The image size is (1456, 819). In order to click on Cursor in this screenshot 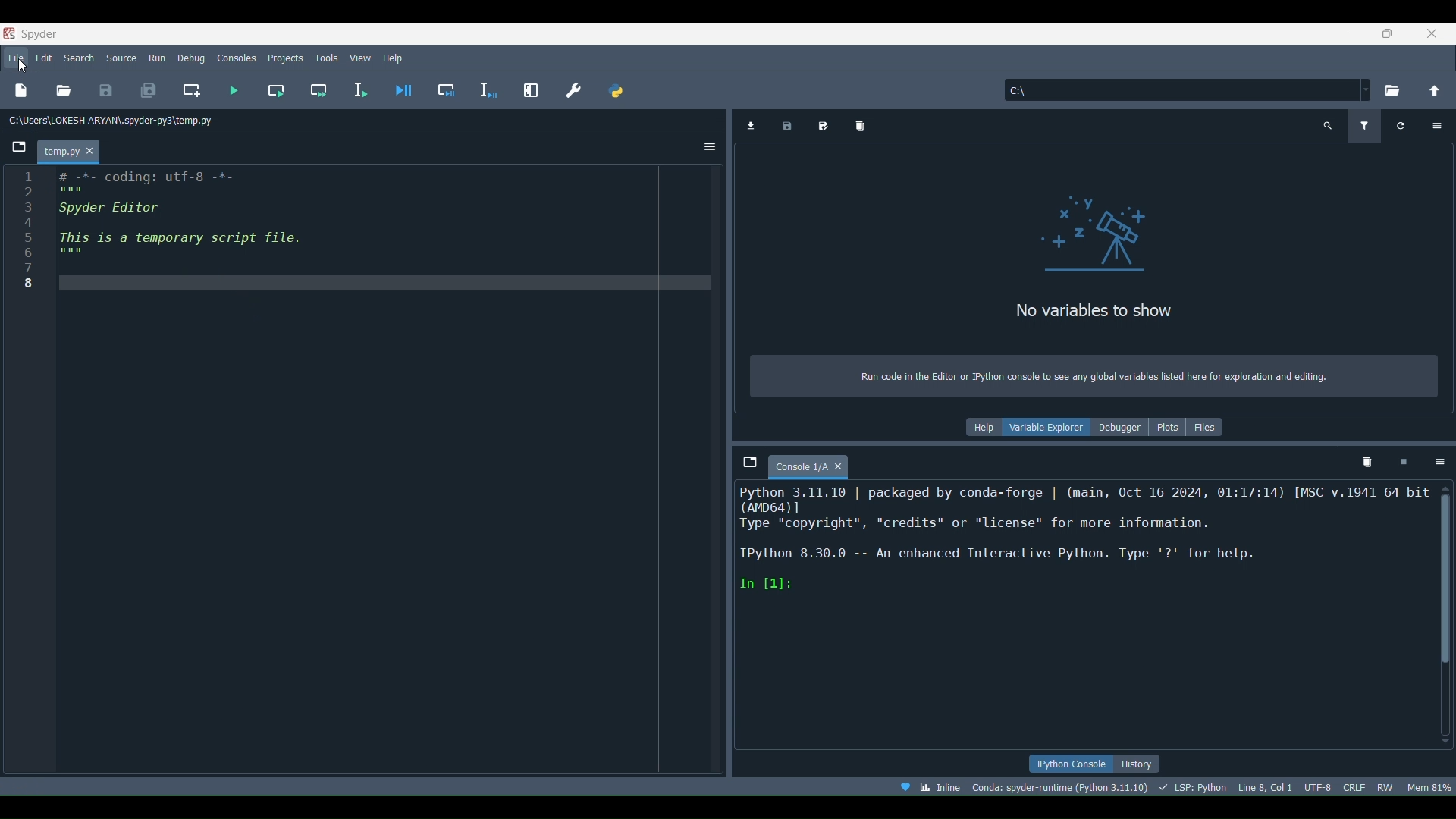, I will do `click(24, 67)`.